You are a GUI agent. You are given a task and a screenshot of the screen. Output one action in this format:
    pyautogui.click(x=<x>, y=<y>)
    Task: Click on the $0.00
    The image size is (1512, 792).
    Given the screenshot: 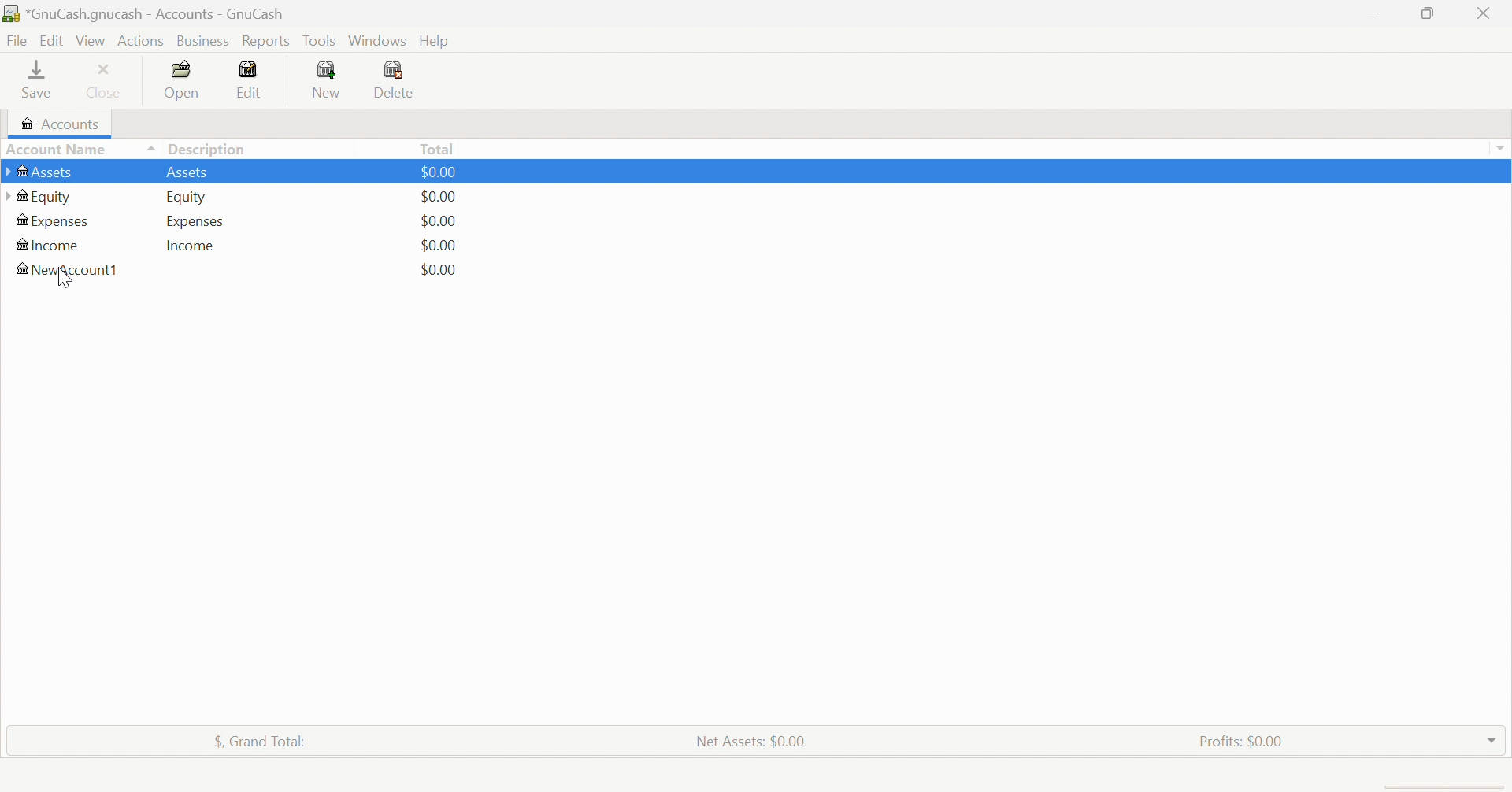 What is the action you would take?
    pyautogui.click(x=443, y=172)
    